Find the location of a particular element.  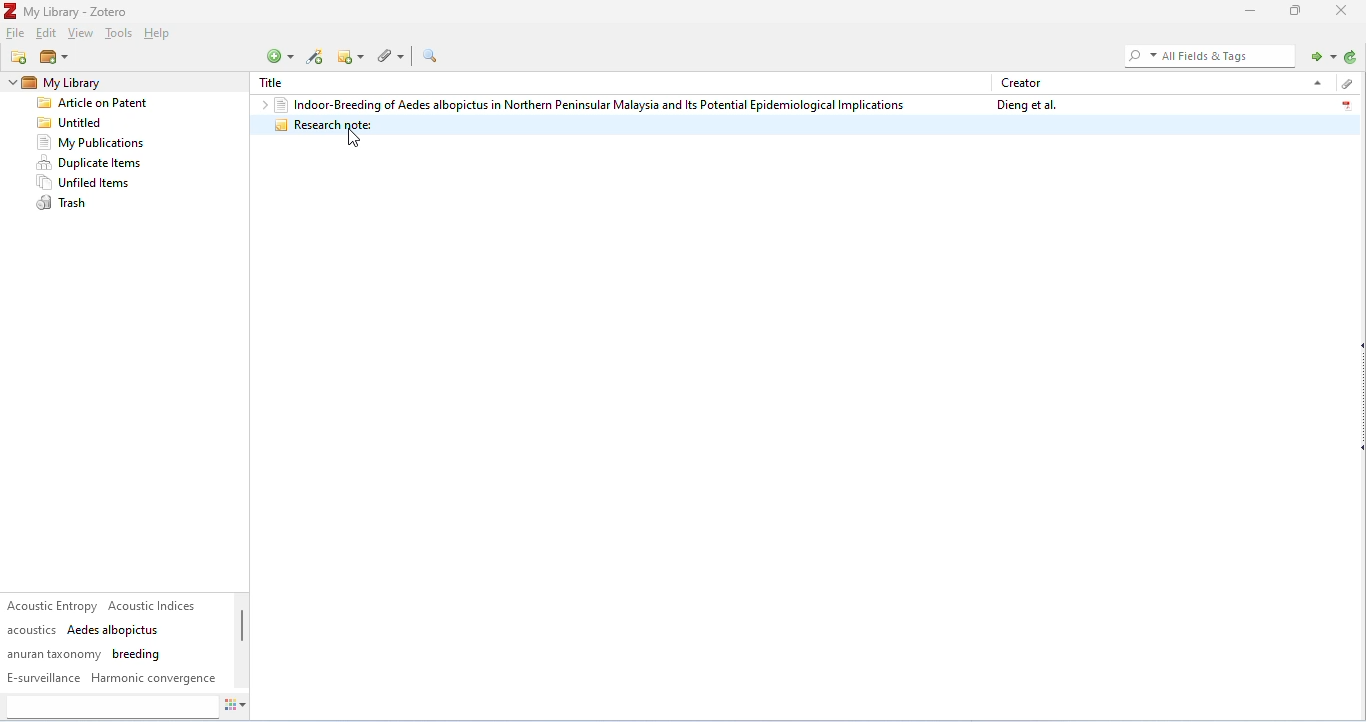

my library is located at coordinates (94, 83).